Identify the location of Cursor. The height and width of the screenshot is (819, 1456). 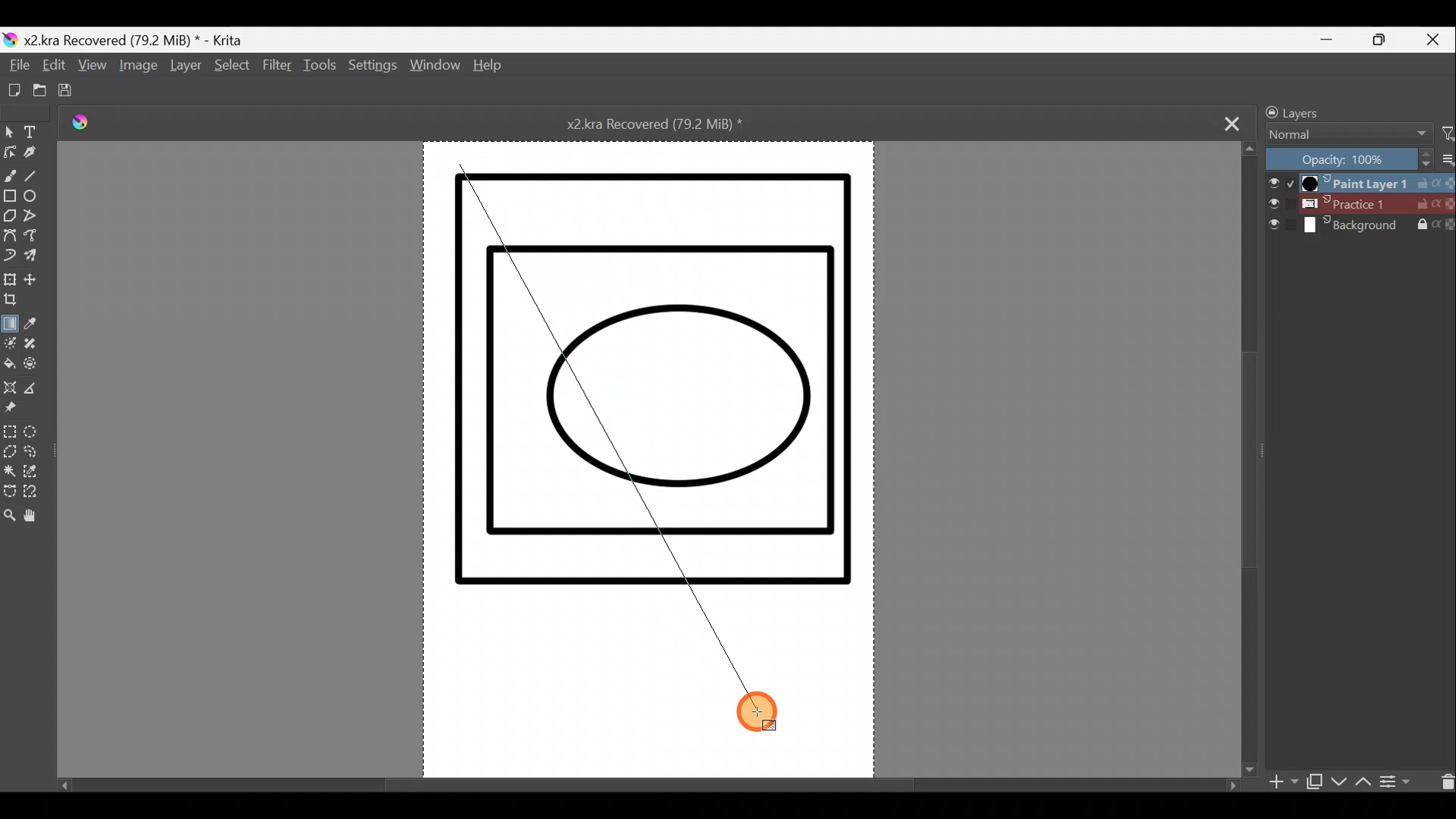
(761, 711).